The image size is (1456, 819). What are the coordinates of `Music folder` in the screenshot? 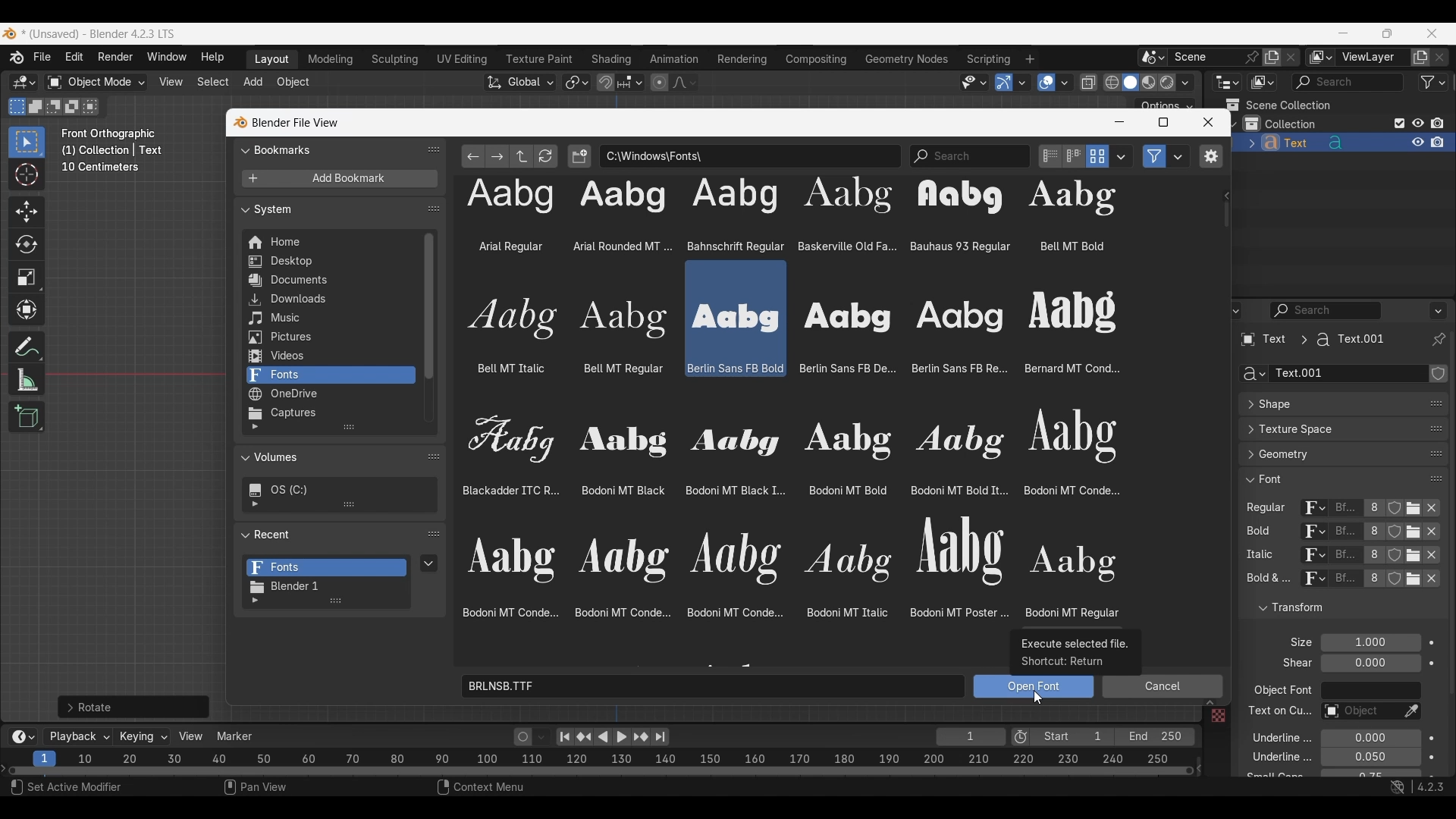 It's located at (328, 318).